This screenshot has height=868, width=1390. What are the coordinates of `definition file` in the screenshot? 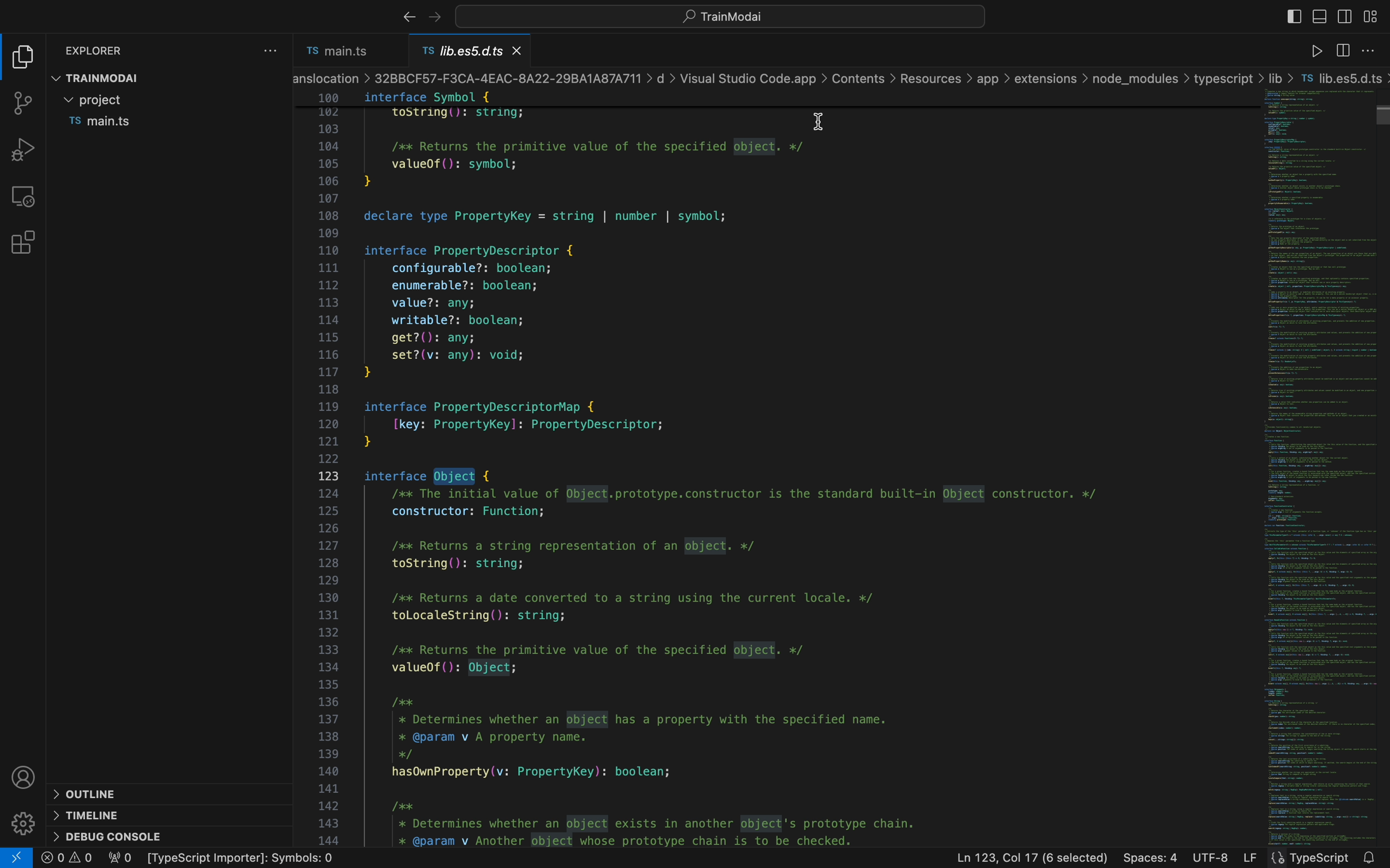 It's located at (831, 467).